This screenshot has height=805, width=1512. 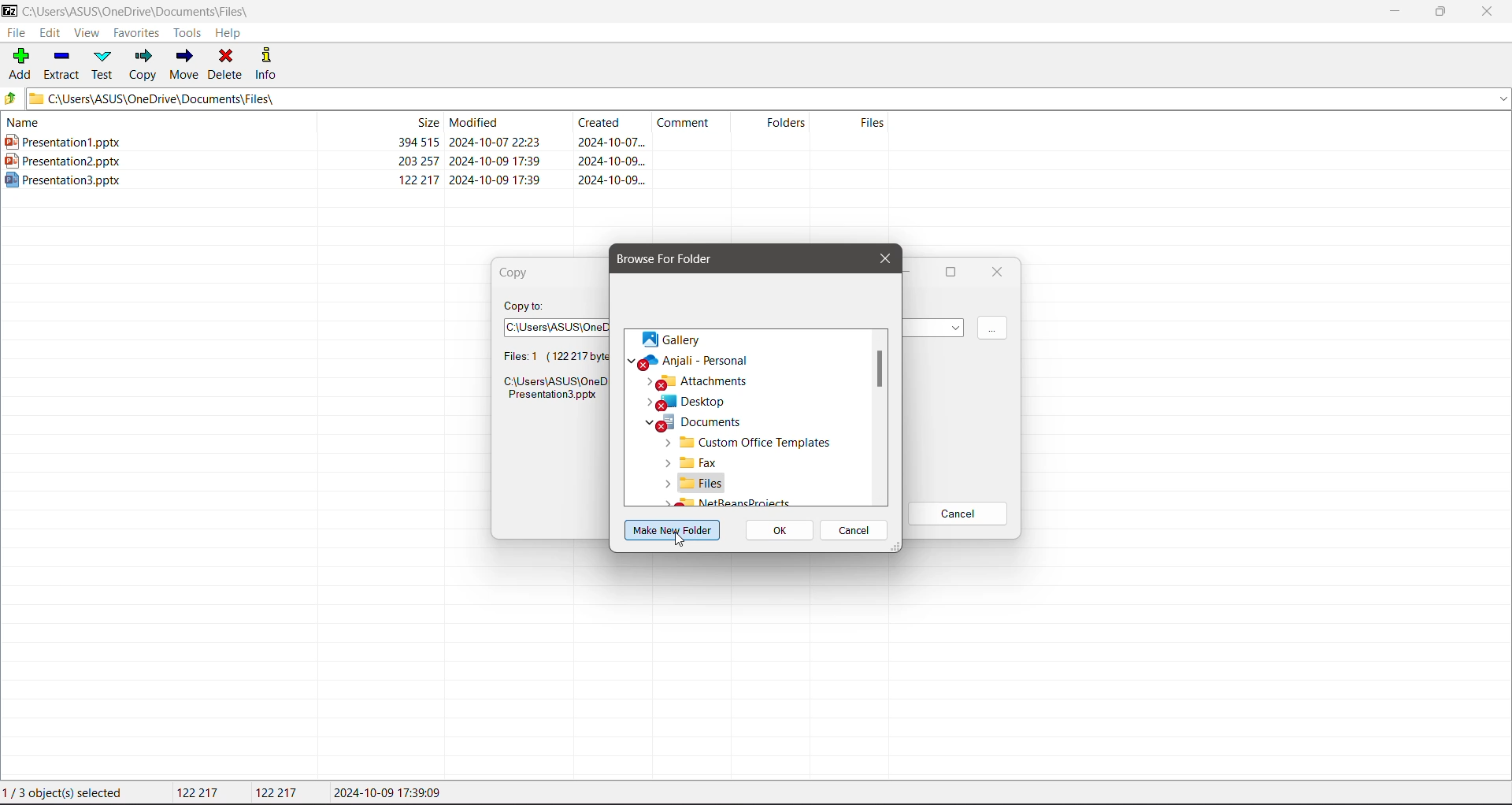 What do you see at coordinates (992, 329) in the screenshot?
I see `Click to Browse for more location` at bounding box center [992, 329].